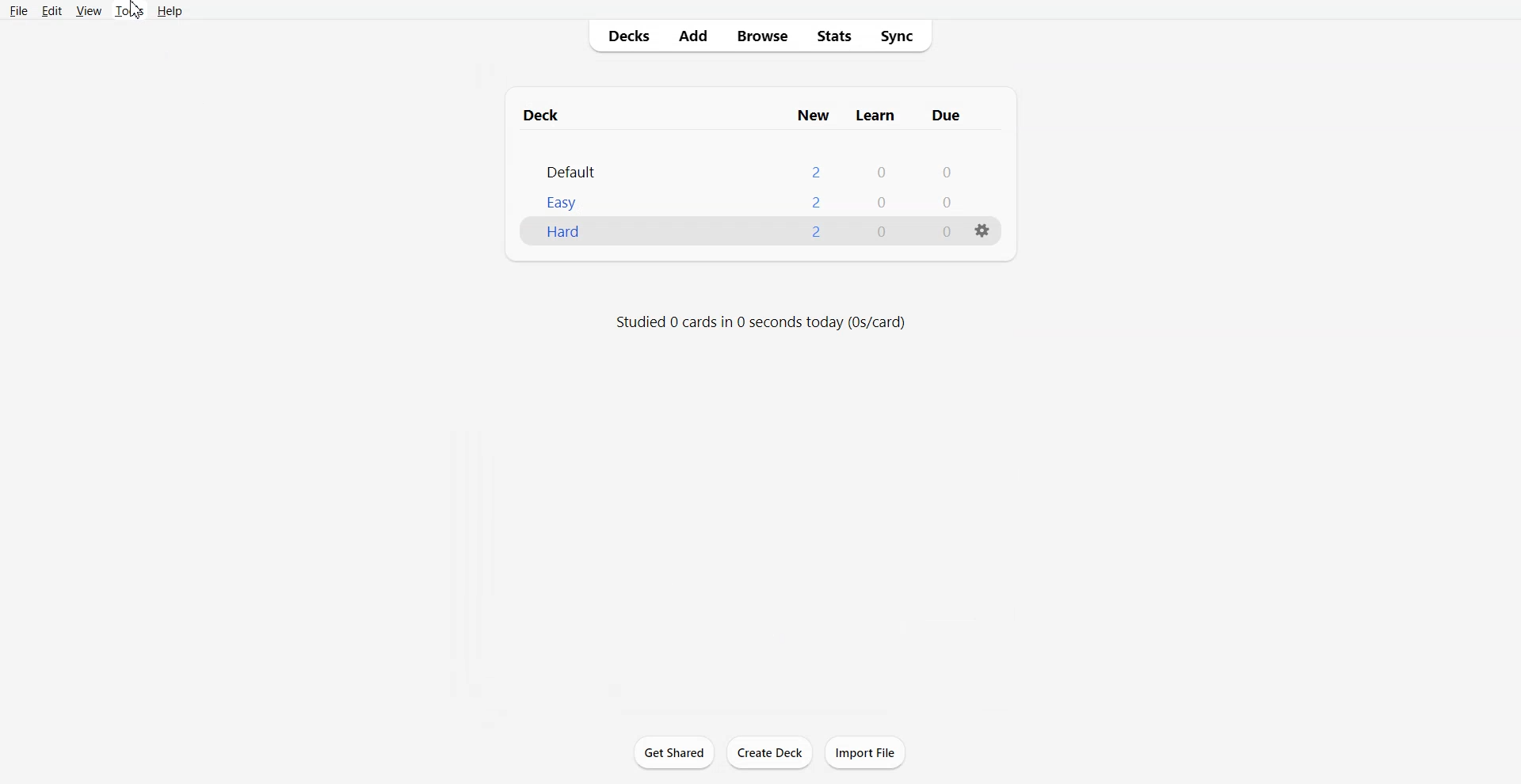 This screenshot has height=784, width=1521. I want to click on Help, so click(171, 11).